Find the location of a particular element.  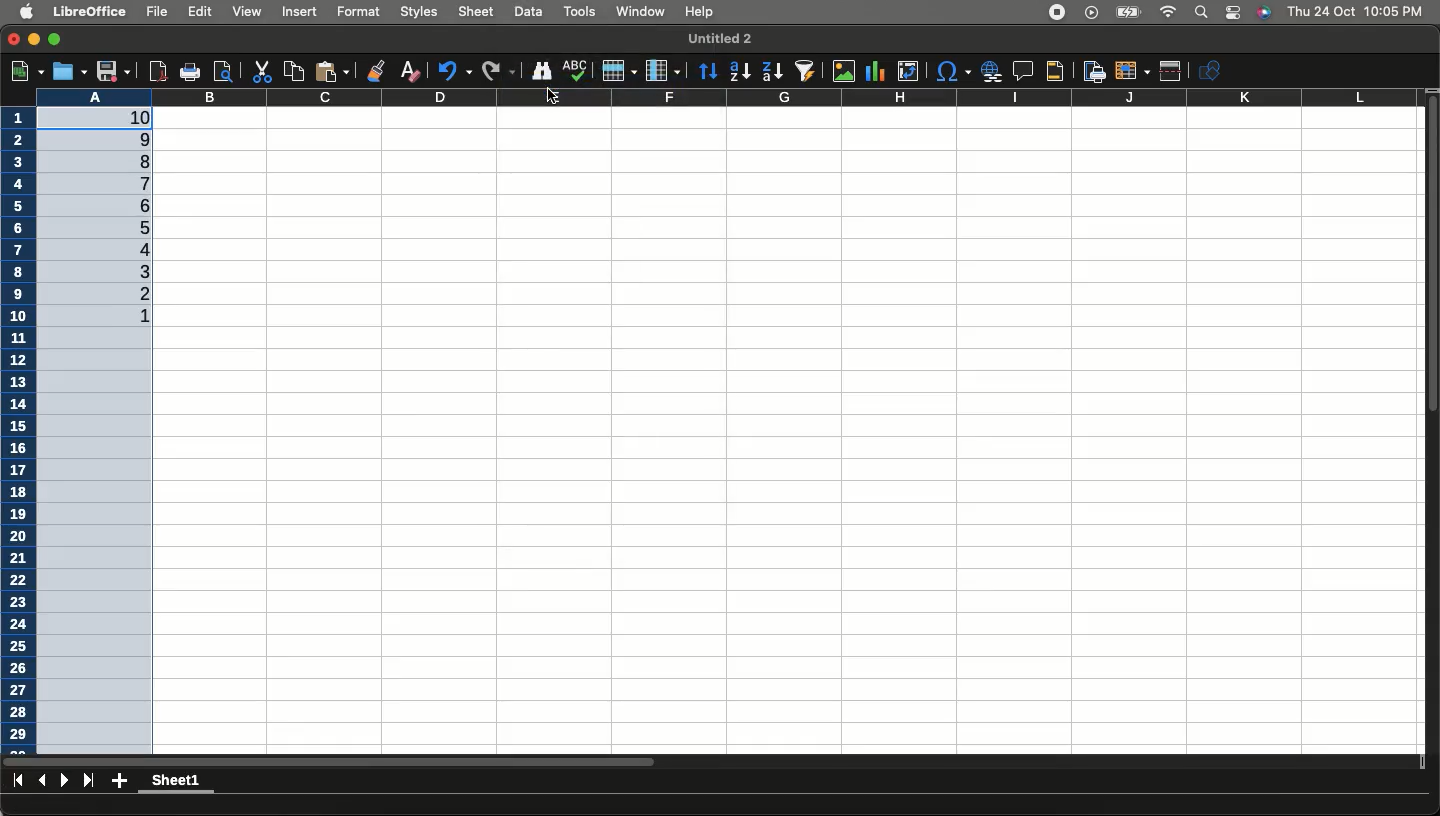

Video player is located at coordinates (1089, 12).